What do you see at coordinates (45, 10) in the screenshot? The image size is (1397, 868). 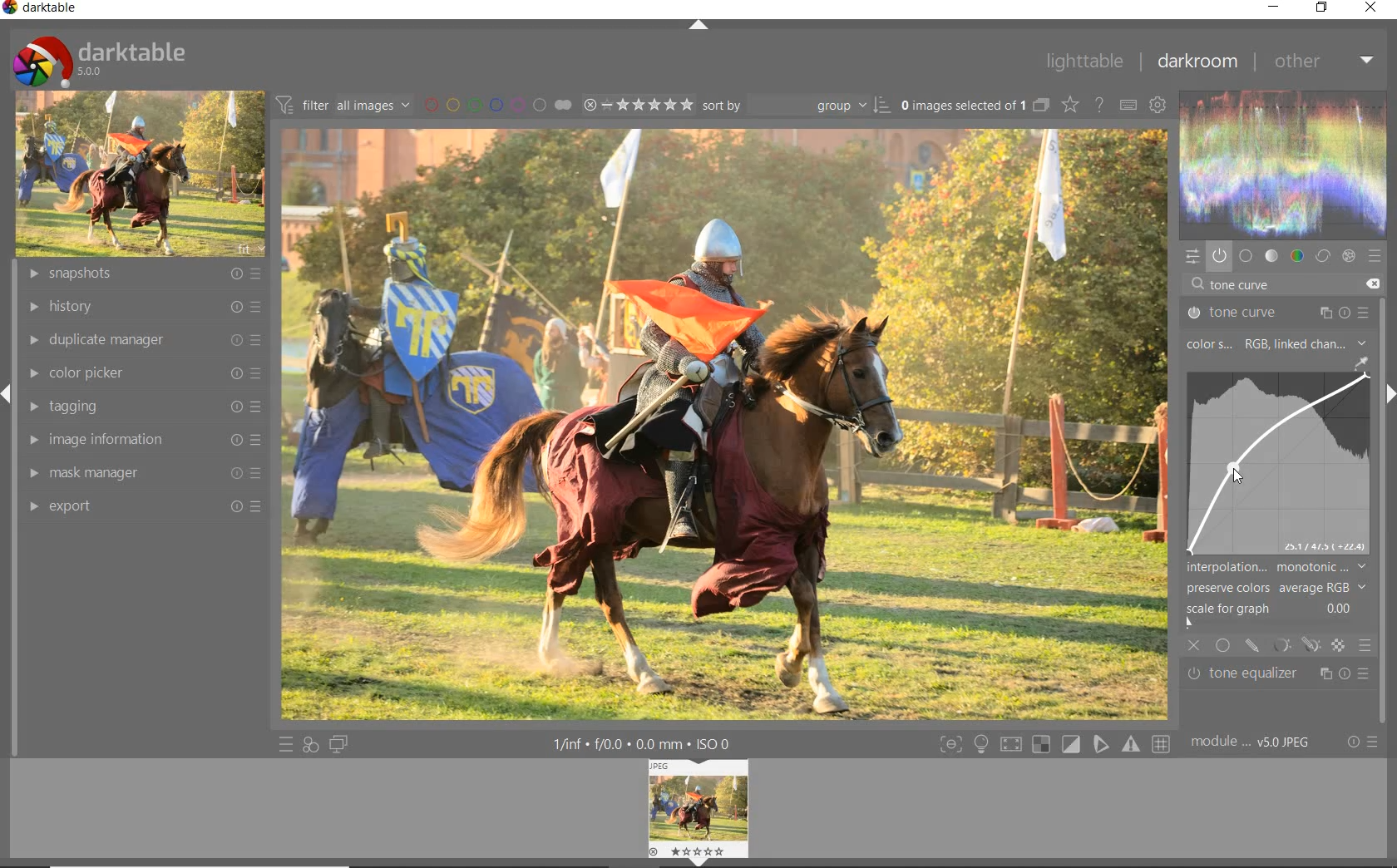 I see `darktable` at bounding box center [45, 10].